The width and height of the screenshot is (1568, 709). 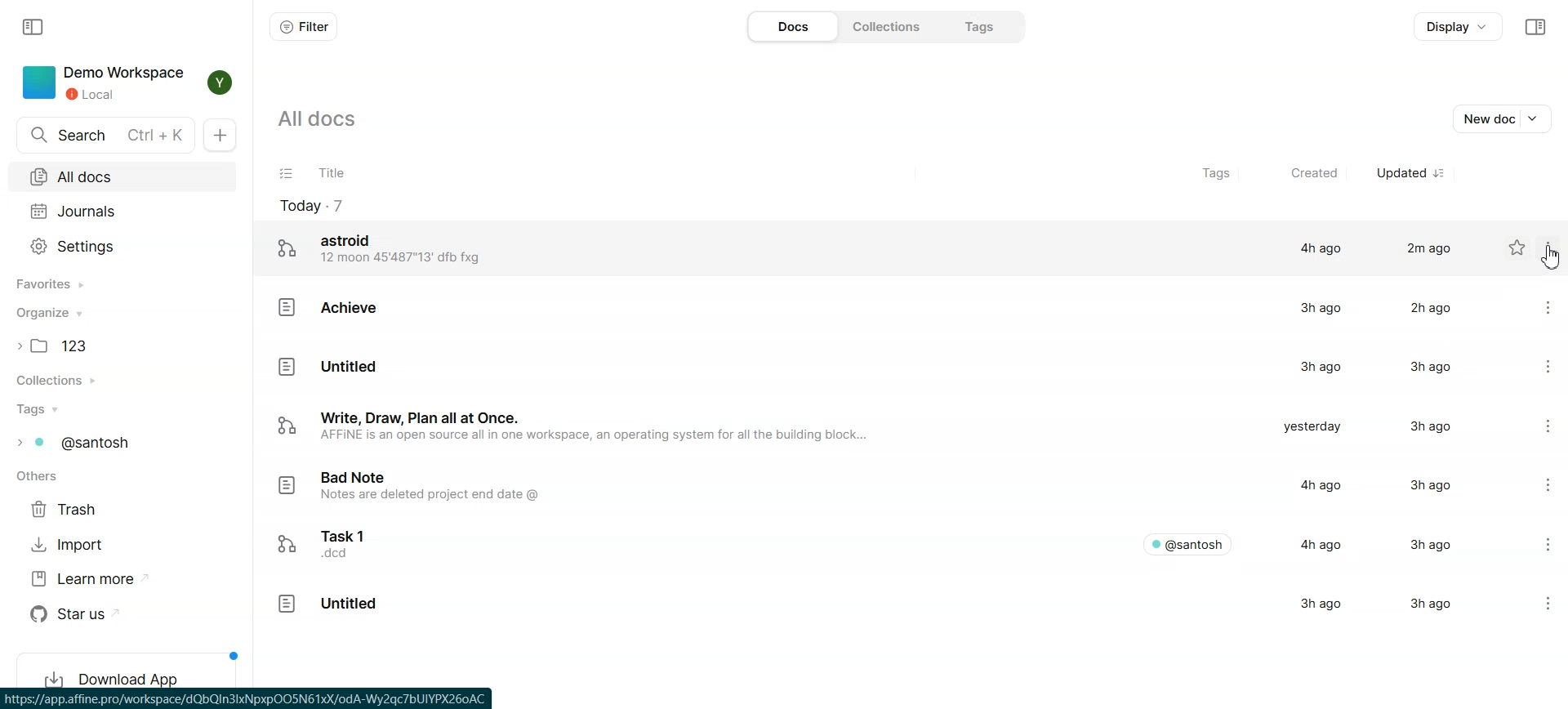 What do you see at coordinates (1215, 174) in the screenshot?
I see `Tags` at bounding box center [1215, 174].